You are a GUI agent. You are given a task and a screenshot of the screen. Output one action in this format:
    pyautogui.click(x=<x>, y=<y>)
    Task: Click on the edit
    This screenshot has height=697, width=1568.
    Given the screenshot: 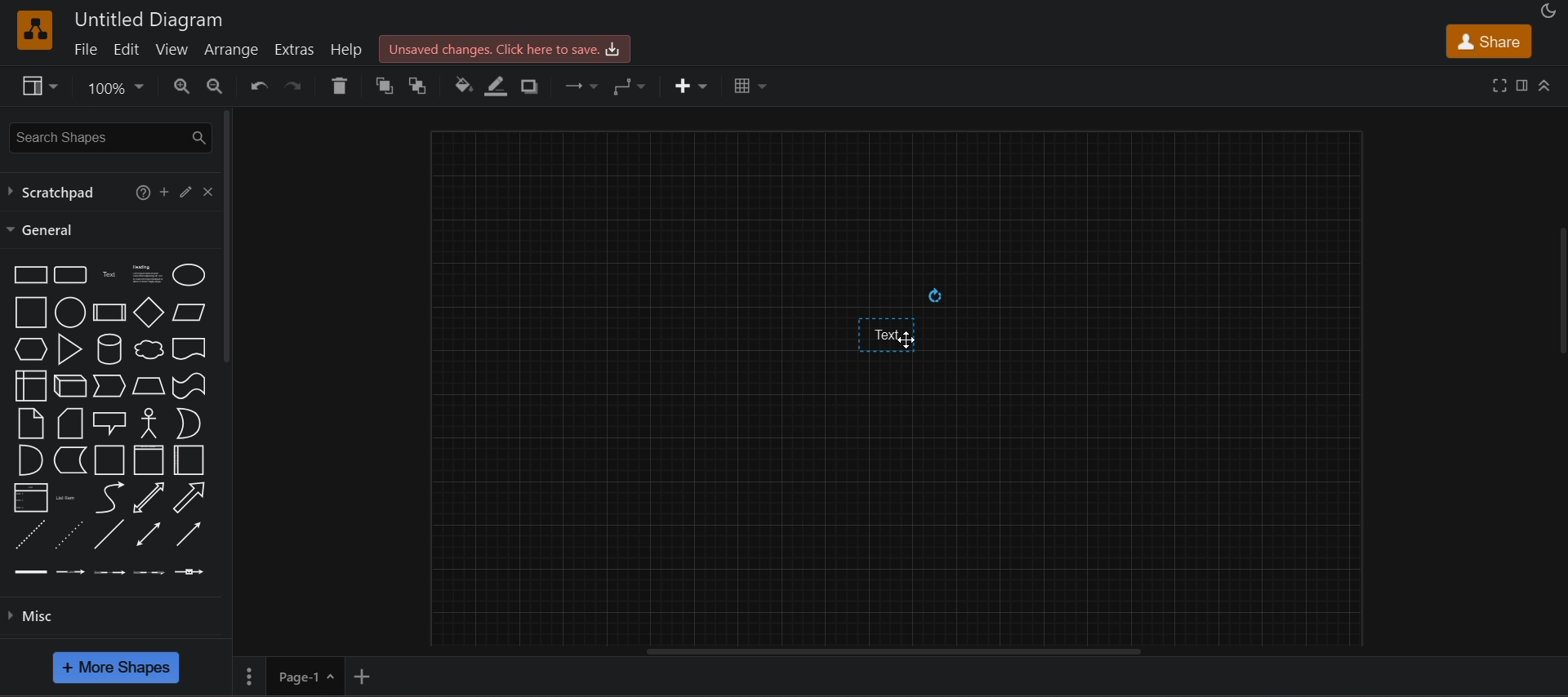 What is the action you would take?
    pyautogui.click(x=186, y=191)
    